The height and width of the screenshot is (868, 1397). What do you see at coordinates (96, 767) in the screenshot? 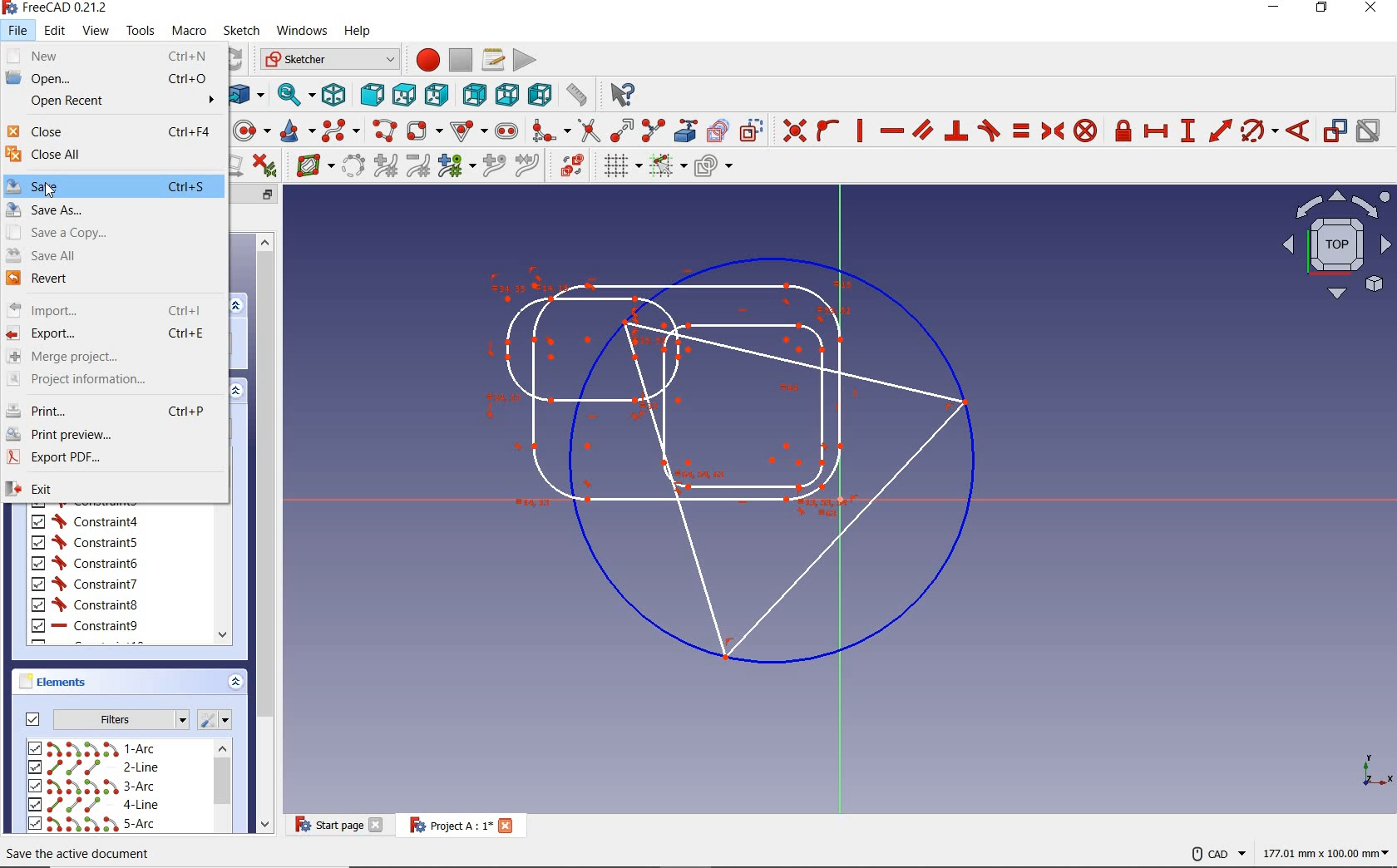
I see `2-line` at bounding box center [96, 767].